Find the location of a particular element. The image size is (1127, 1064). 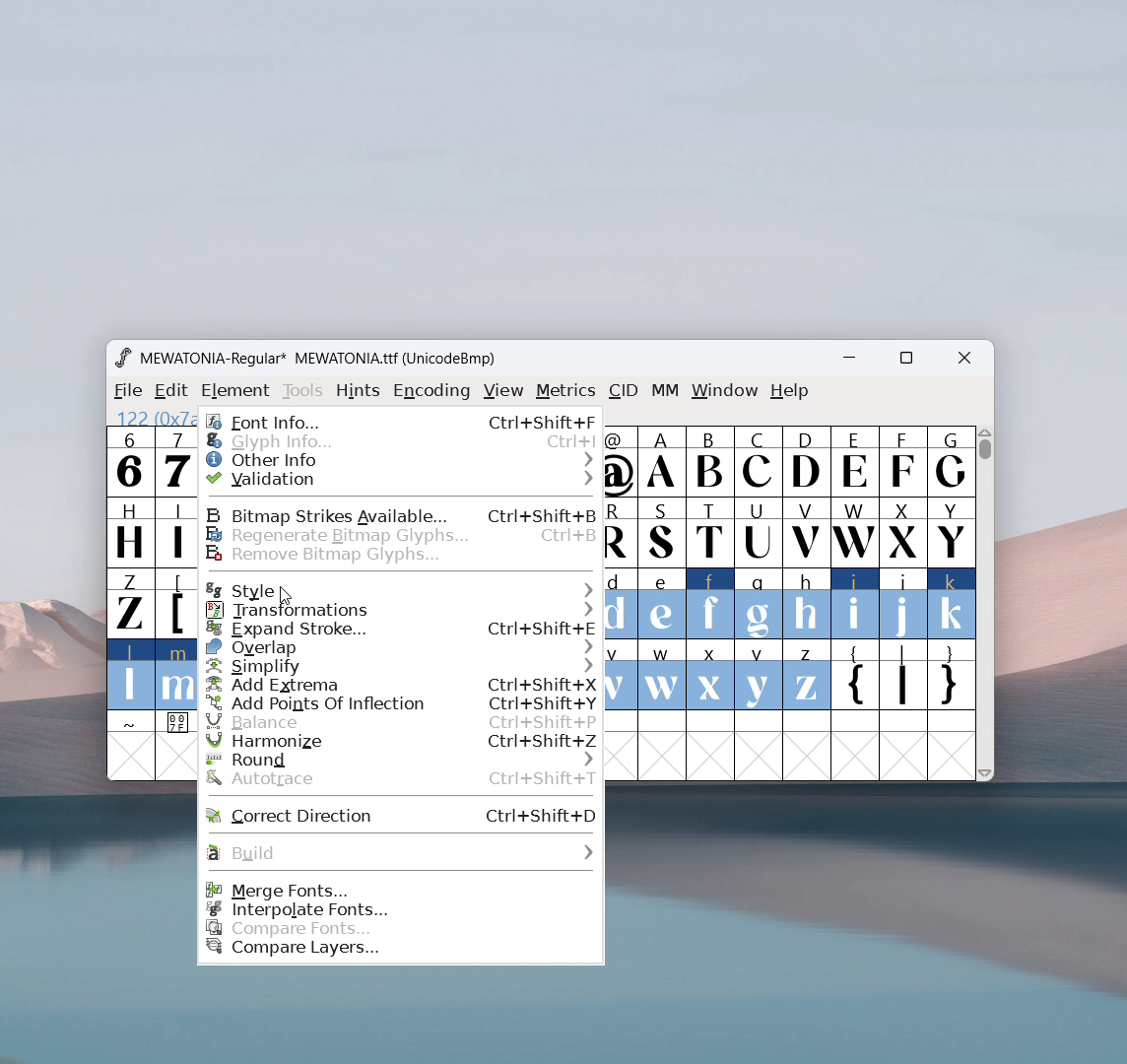

help is located at coordinates (790, 391).